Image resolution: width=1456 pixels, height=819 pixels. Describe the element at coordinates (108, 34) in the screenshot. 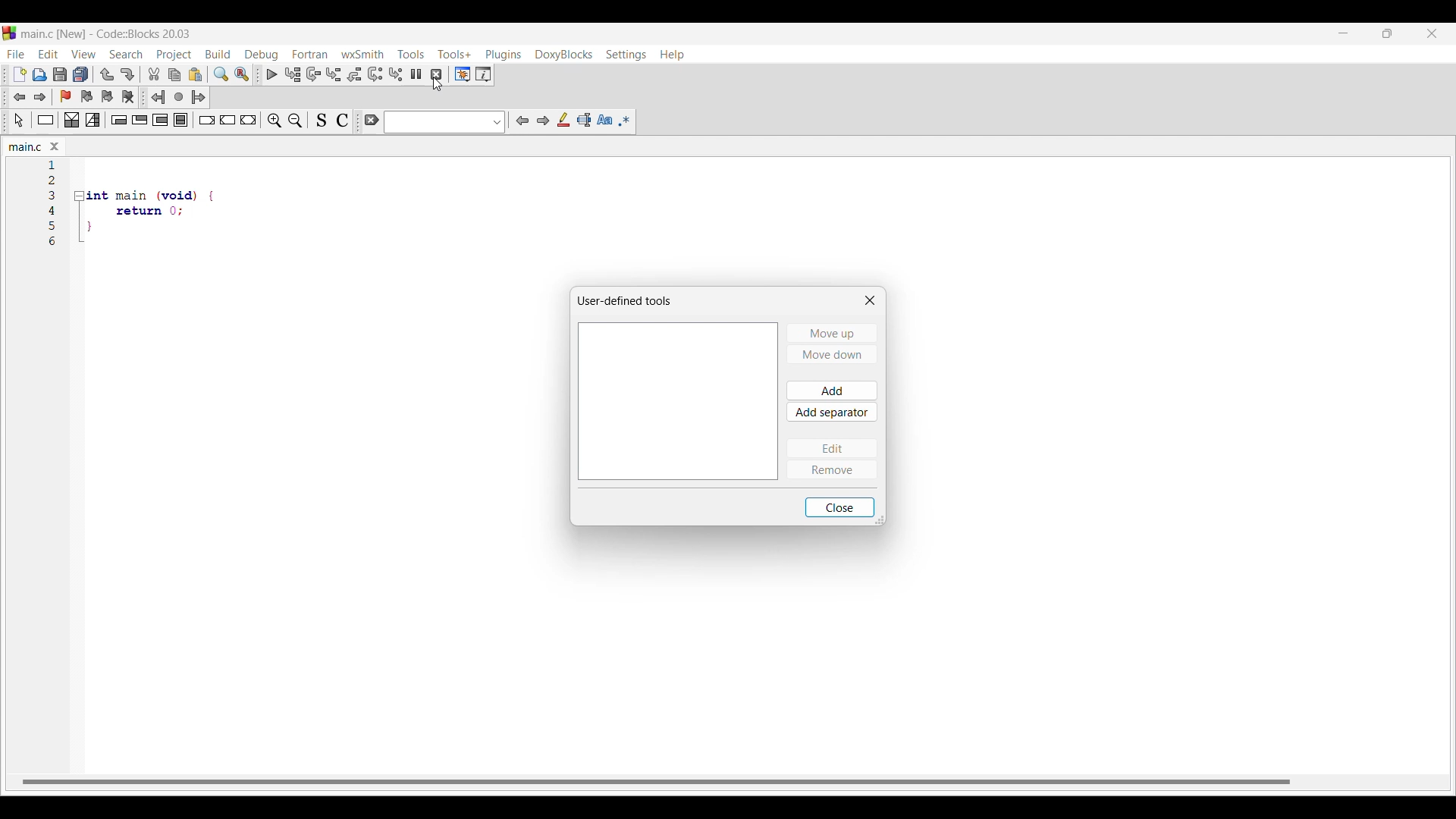

I see `Project name, software name and version` at that location.